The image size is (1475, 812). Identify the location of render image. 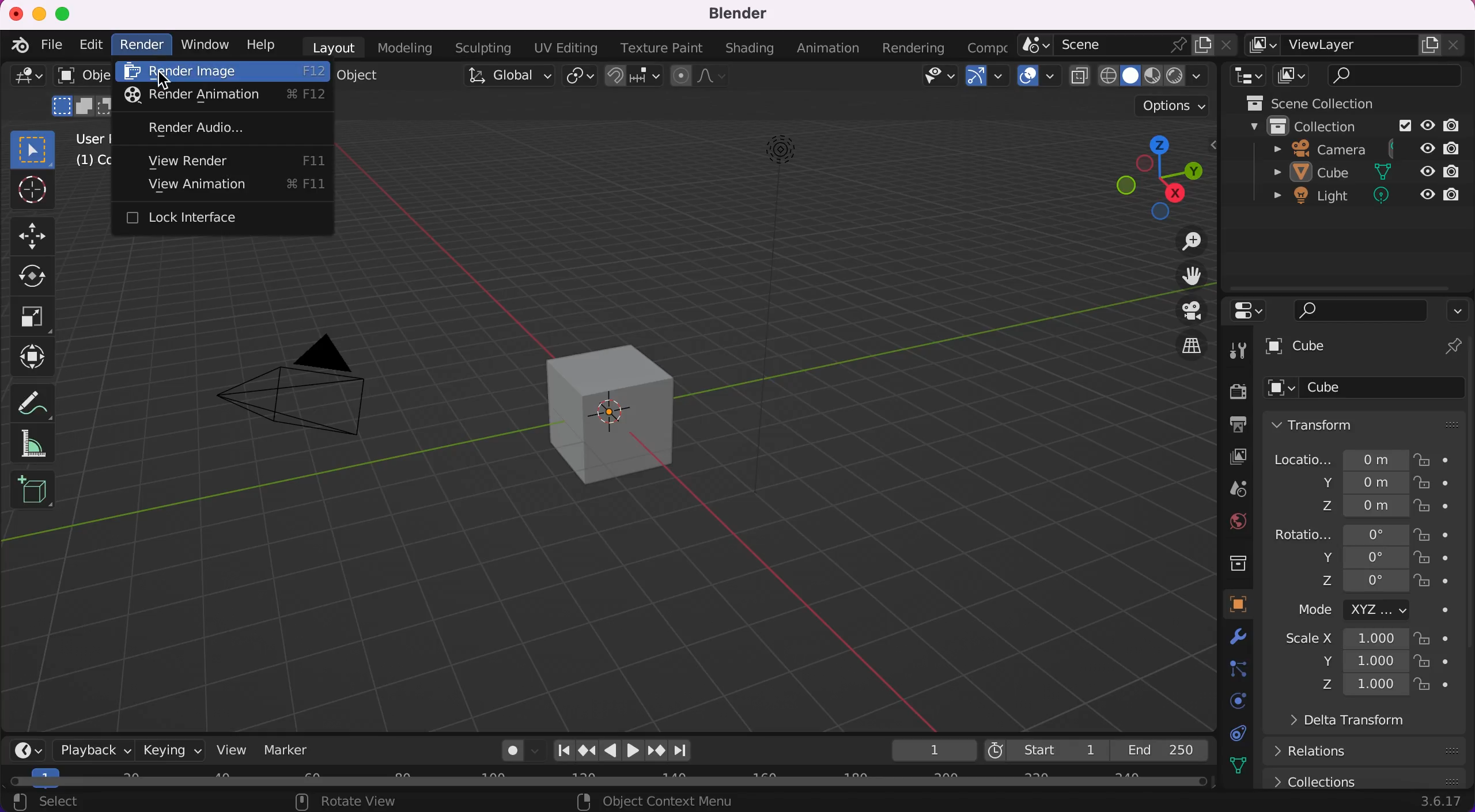
(190, 73).